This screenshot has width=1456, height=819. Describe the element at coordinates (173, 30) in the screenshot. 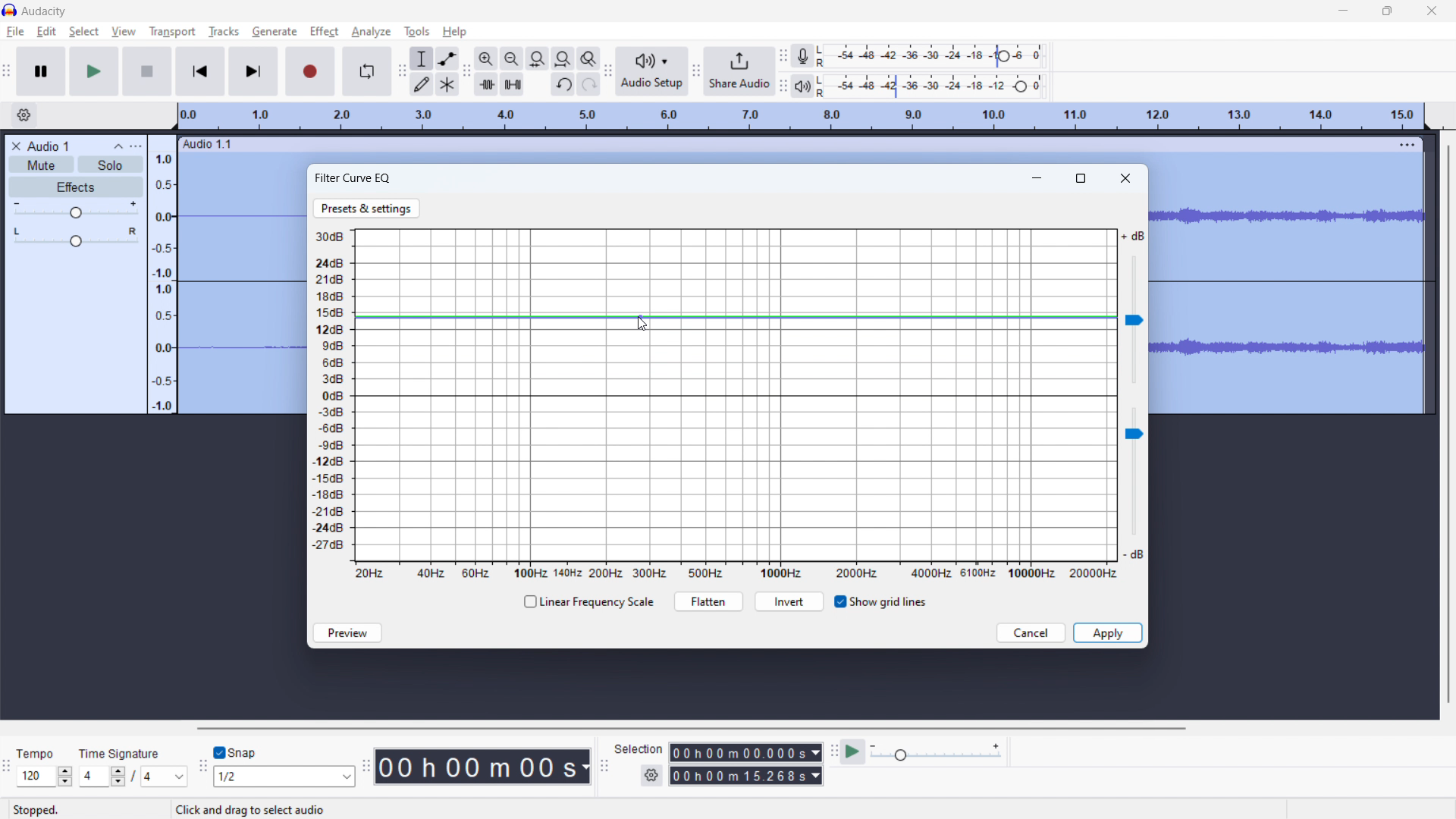

I see `transport` at that location.